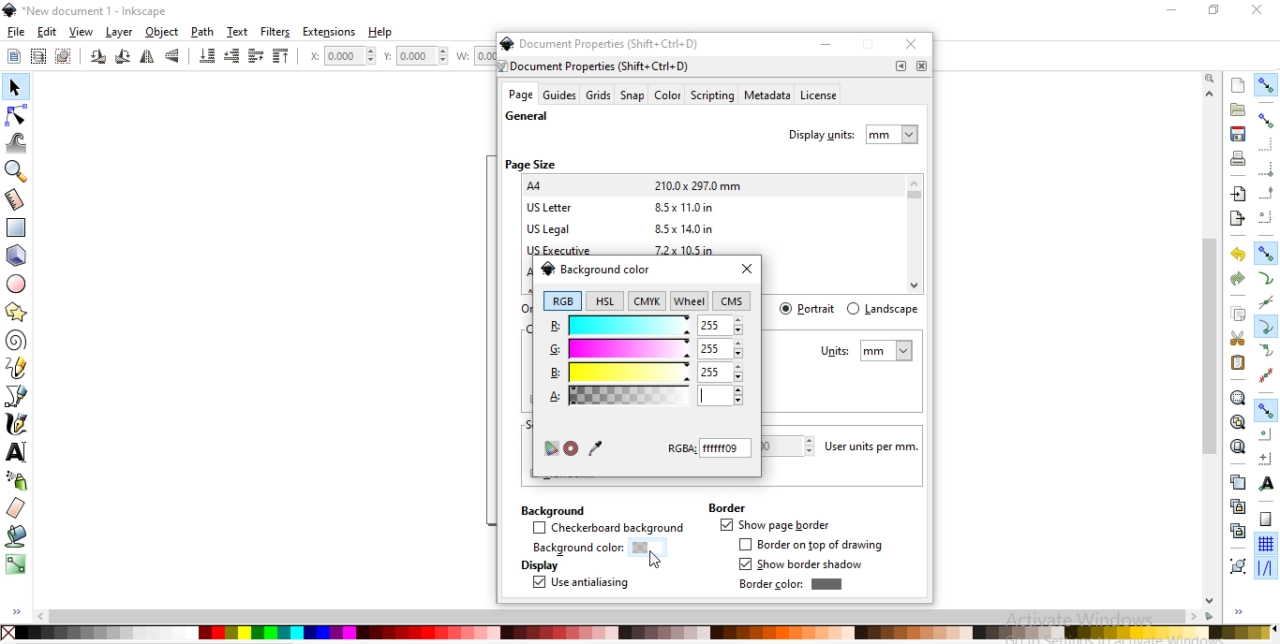 The width and height of the screenshot is (1280, 644). I want to click on color, so click(638, 632).